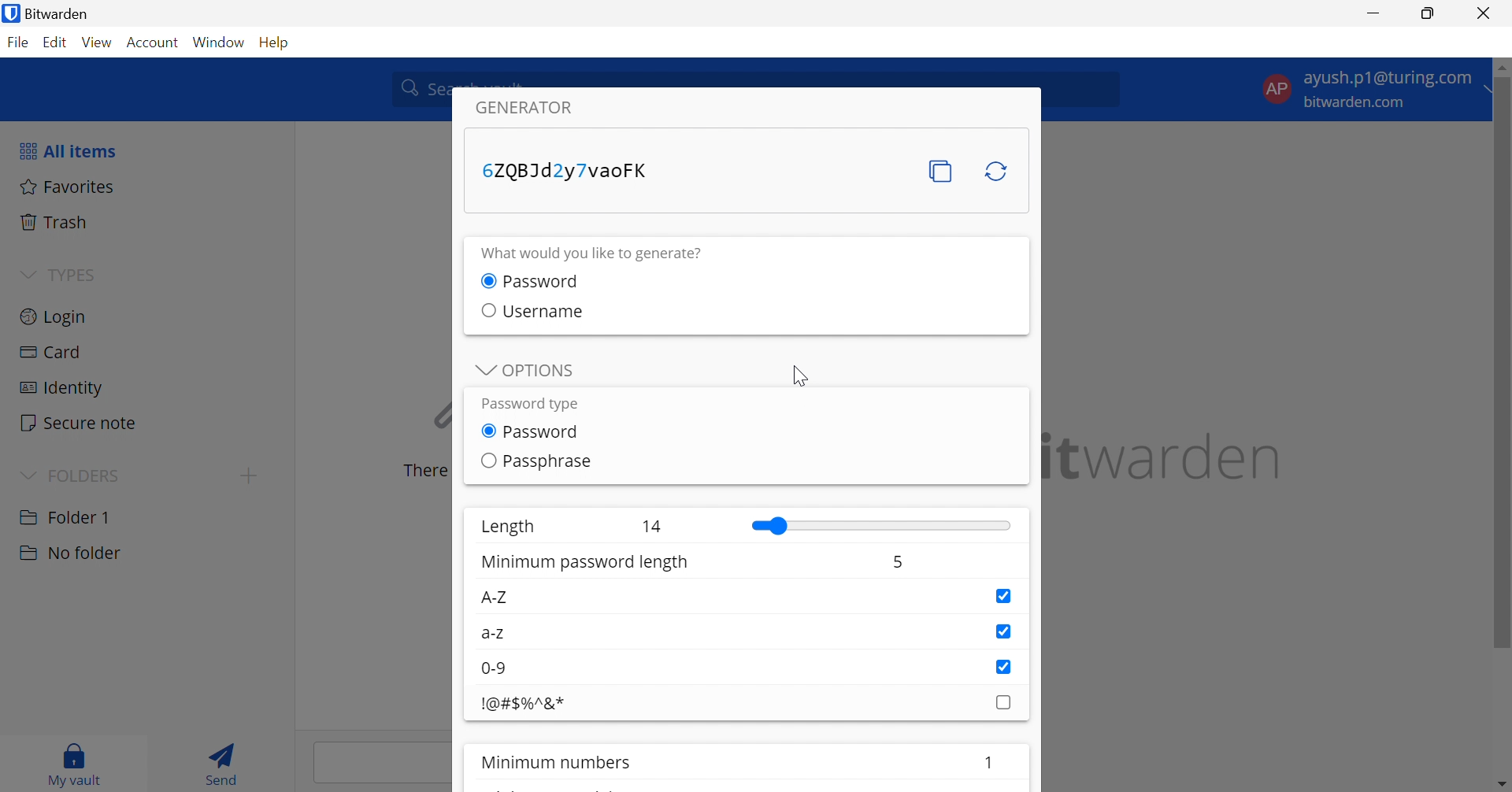  What do you see at coordinates (152, 43) in the screenshot?
I see `Account` at bounding box center [152, 43].